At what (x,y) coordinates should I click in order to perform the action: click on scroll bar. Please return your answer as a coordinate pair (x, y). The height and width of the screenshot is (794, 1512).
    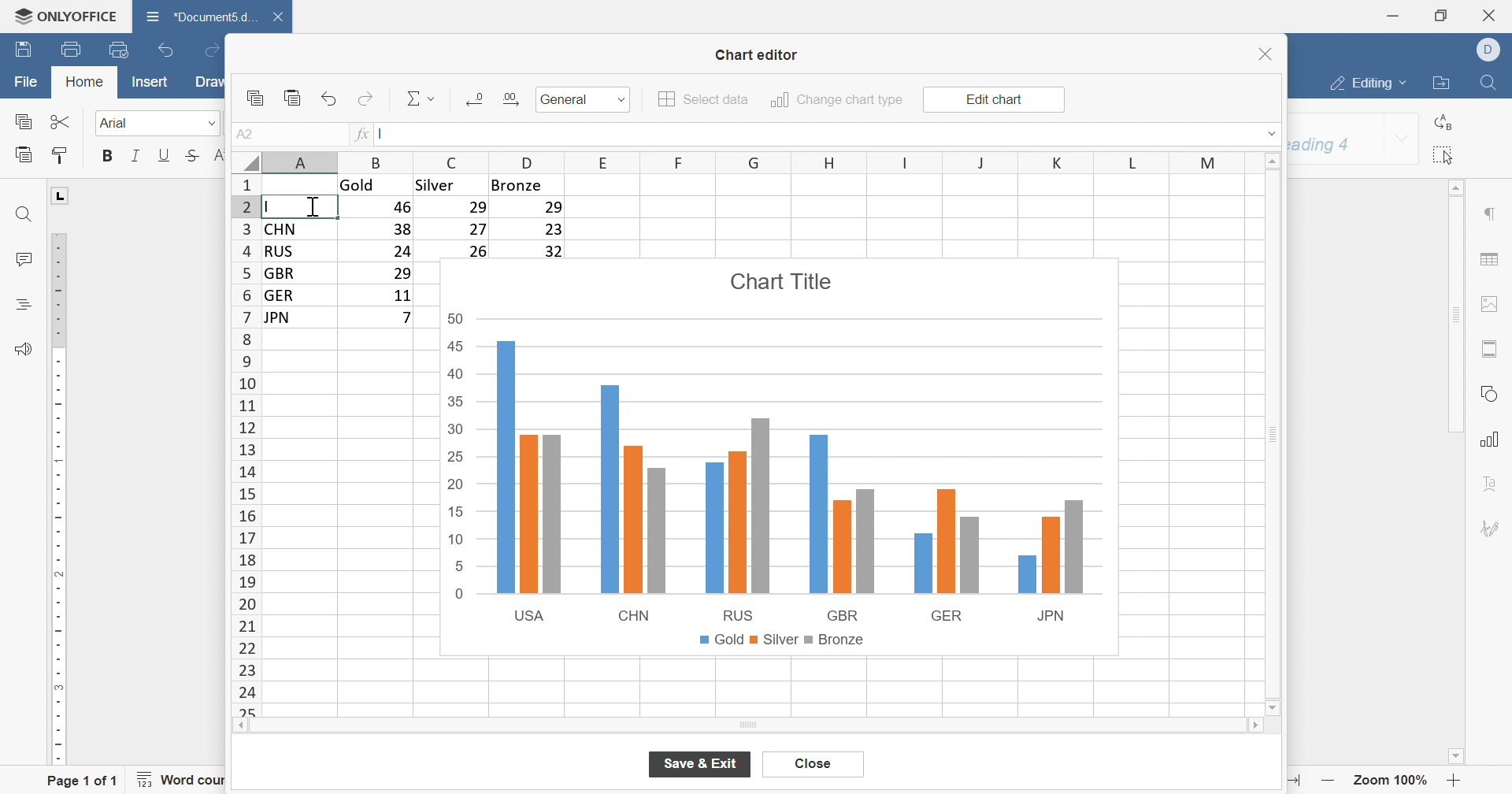
    Looking at the image, I should click on (1455, 307).